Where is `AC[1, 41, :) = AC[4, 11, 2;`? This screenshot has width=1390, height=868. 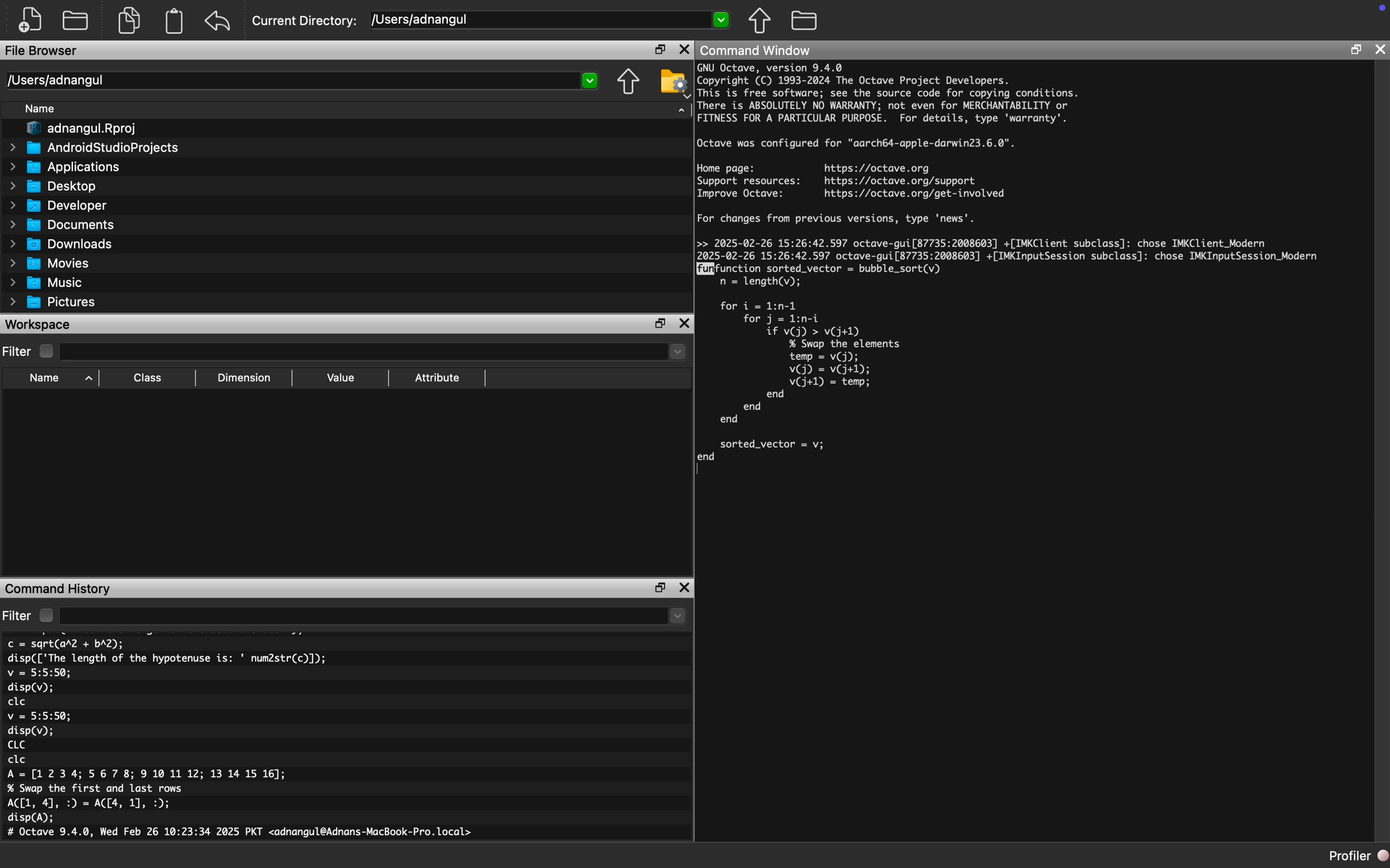
AC[1, 41, :) = AC[4, 11, 2; is located at coordinates (91, 804).